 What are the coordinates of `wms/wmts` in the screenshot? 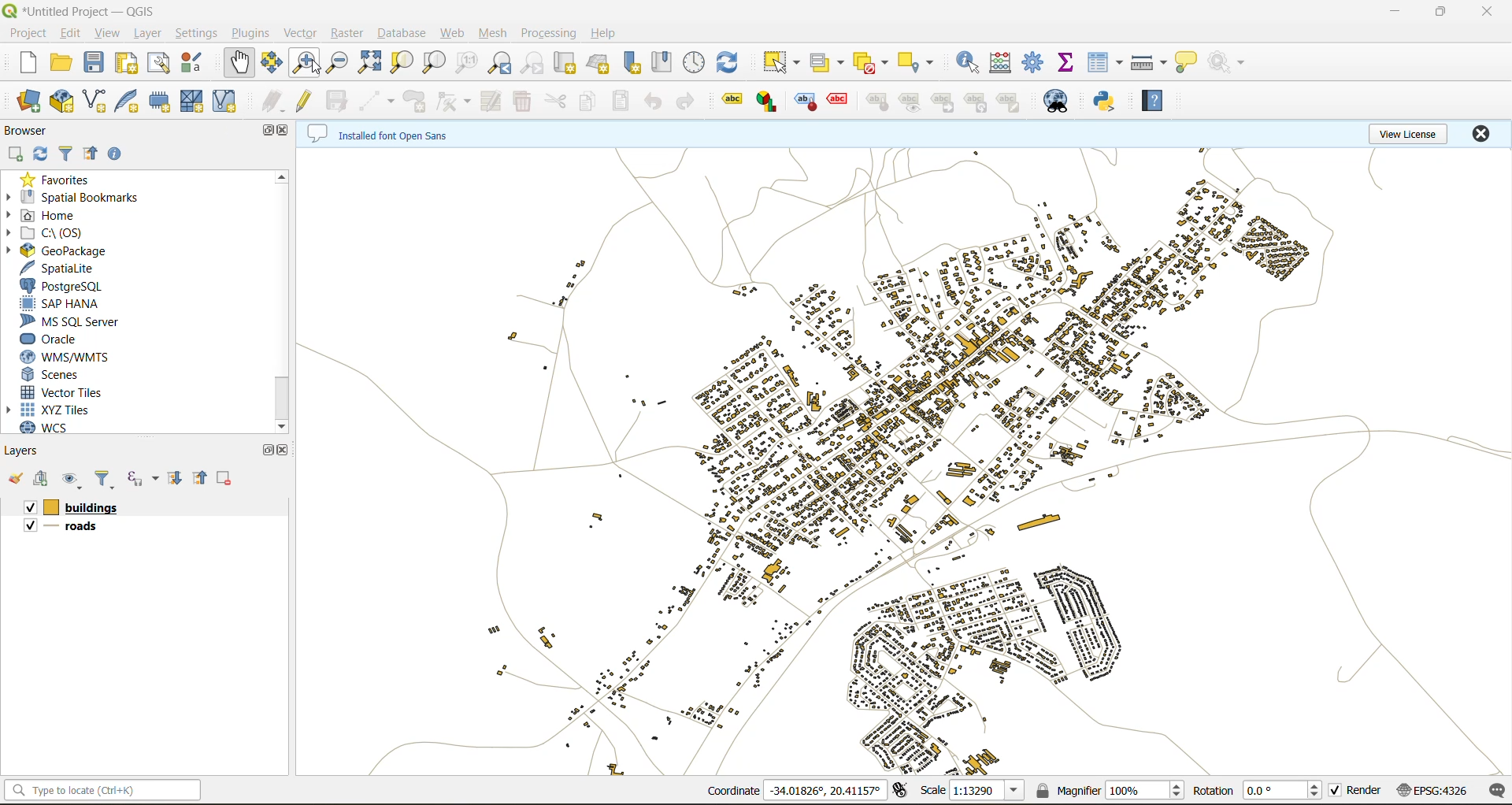 It's located at (76, 358).